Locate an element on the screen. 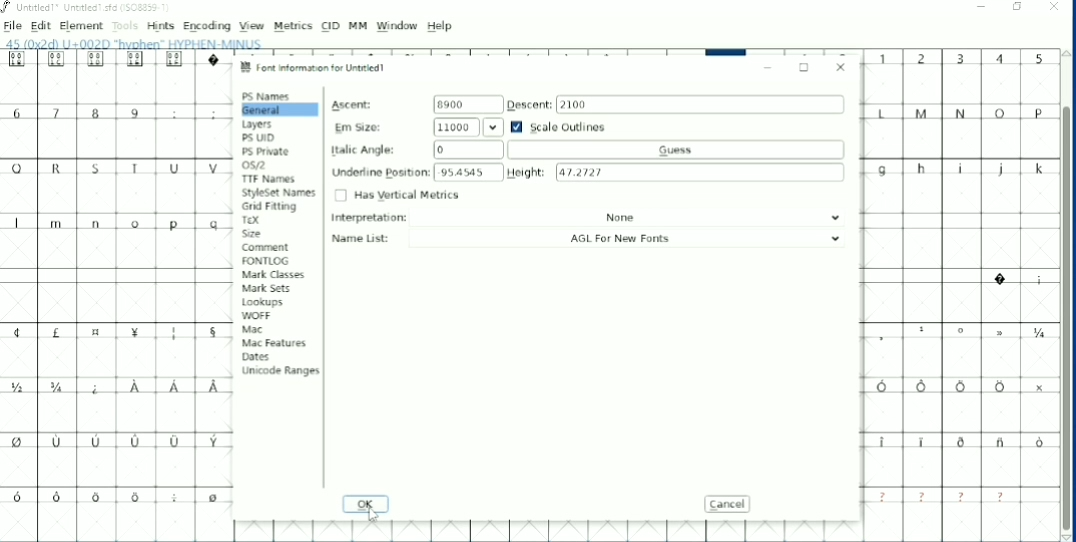 This screenshot has width=1076, height=542. PS UID is located at coordinates (259, 138).